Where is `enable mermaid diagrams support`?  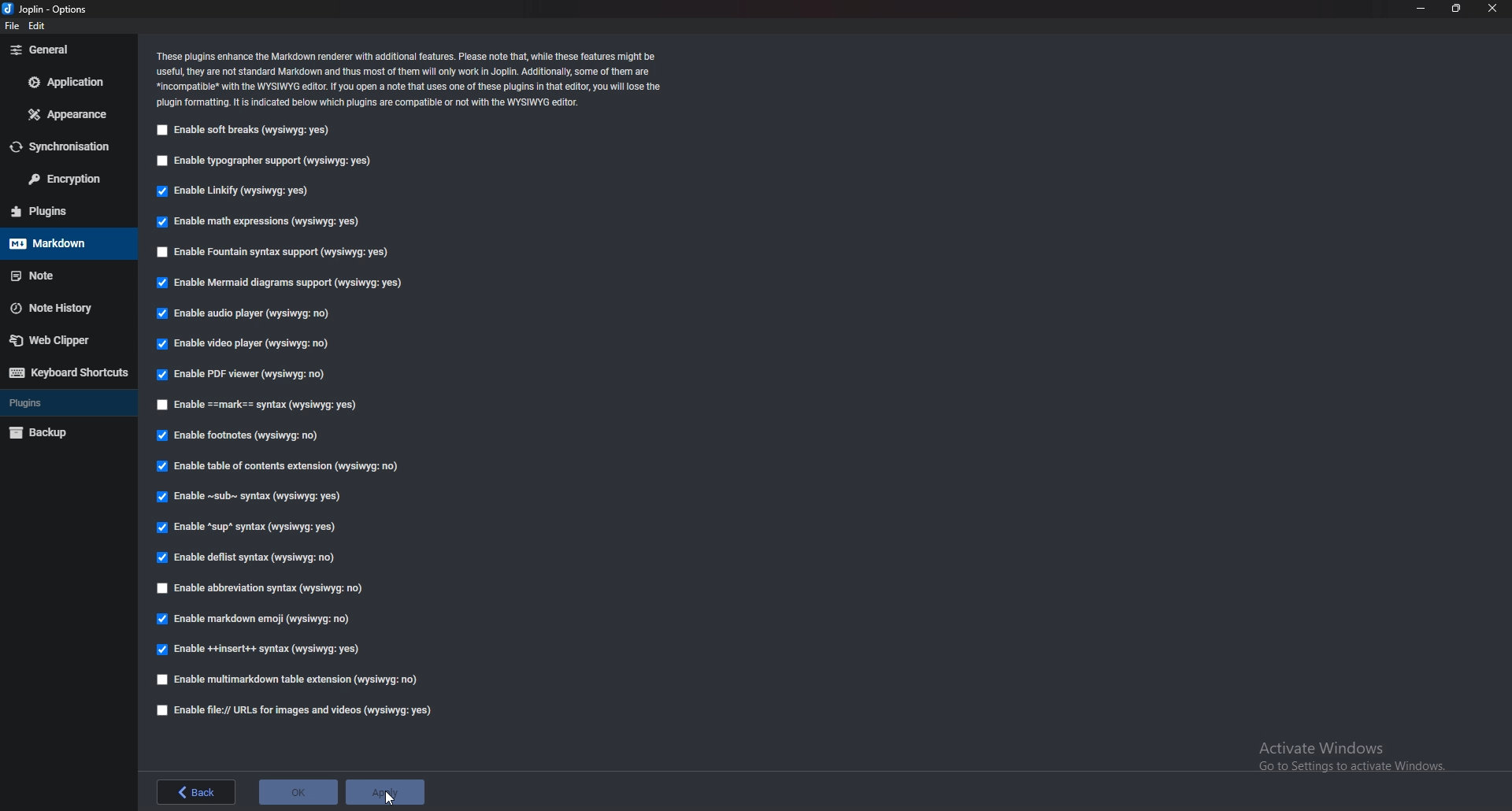
enable mermaid diagrams support is located at coordinates (283, 285).